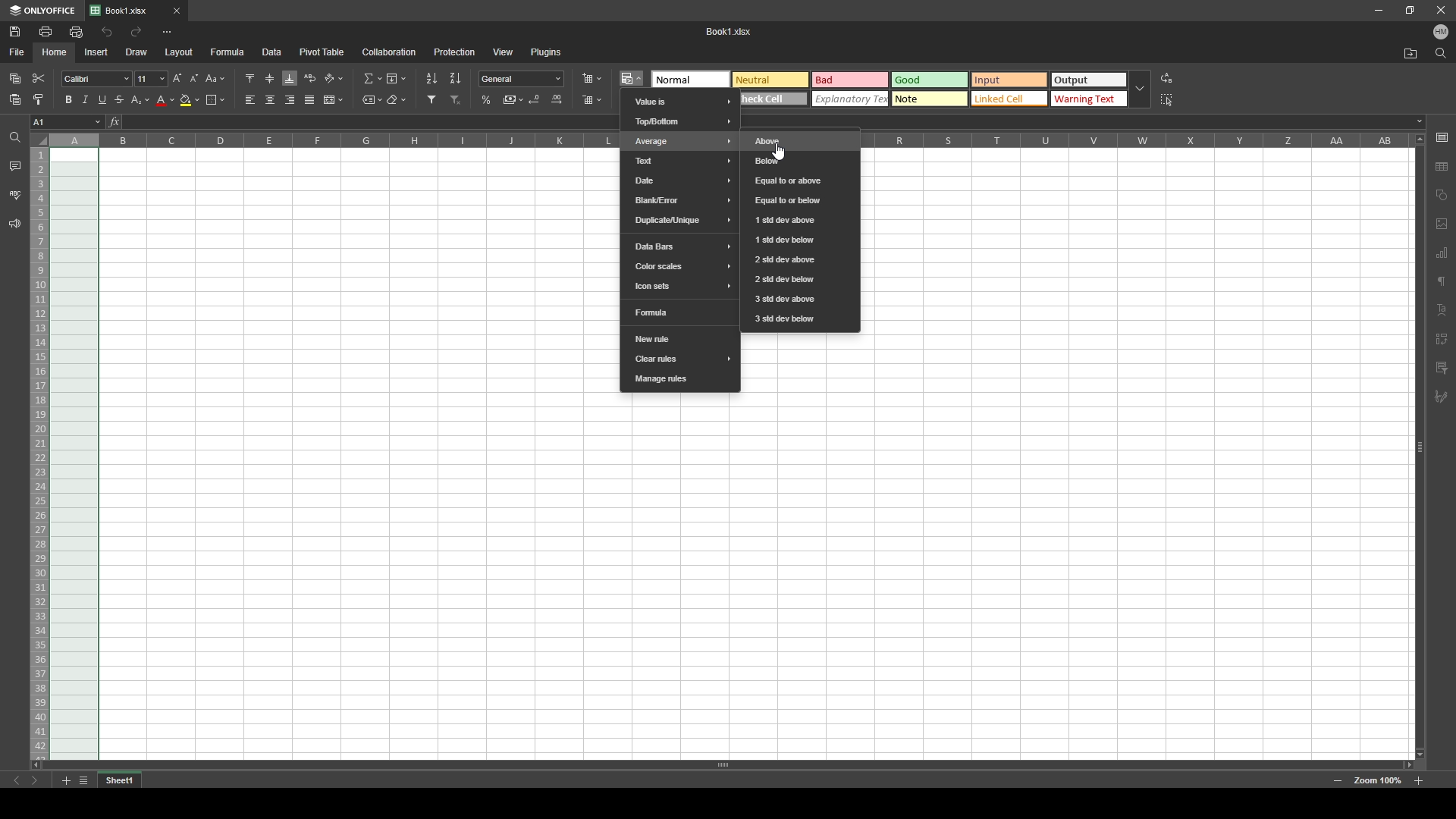 The height and width of the screenshot is (819, 1456). What do you see at coordinates (536, 99) in the screenshot?
I see `decrease decimal` at bounding box center [536, 99].